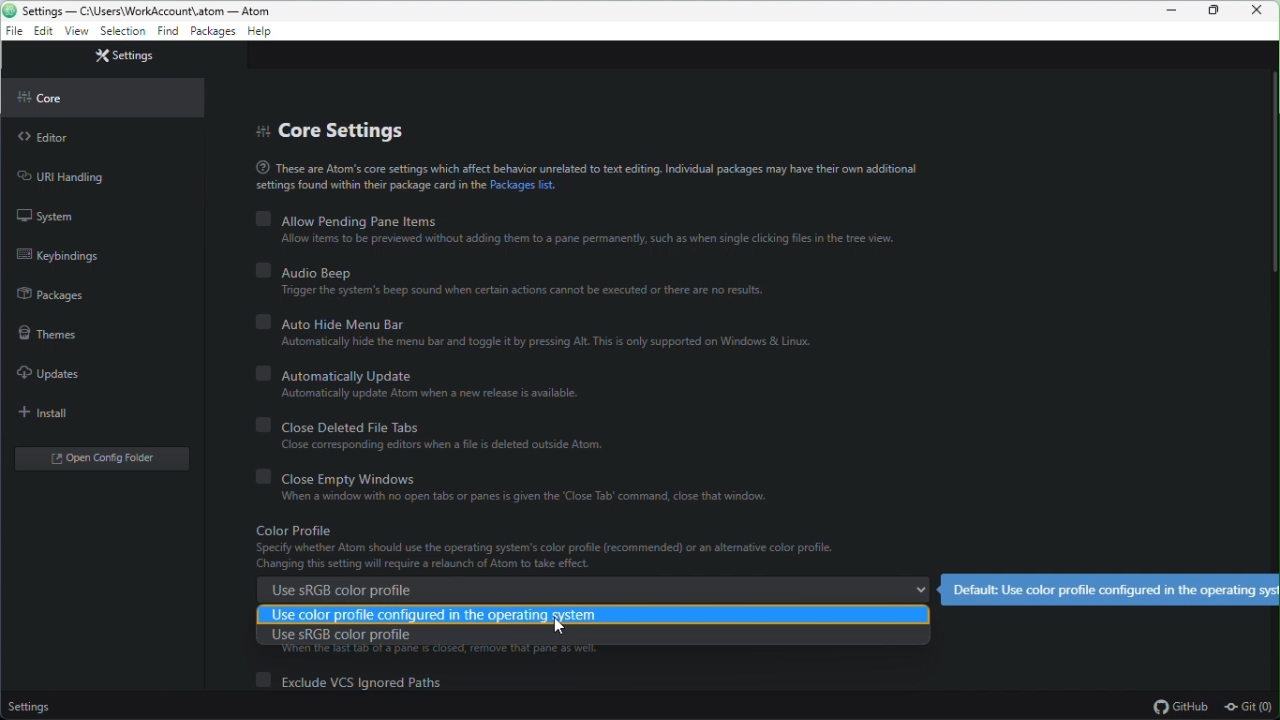 The height and width of the screenshot is (720, 1280). Describe the element at coordinates (584, 548) in the screenshot. I see `Color profile` at that location.